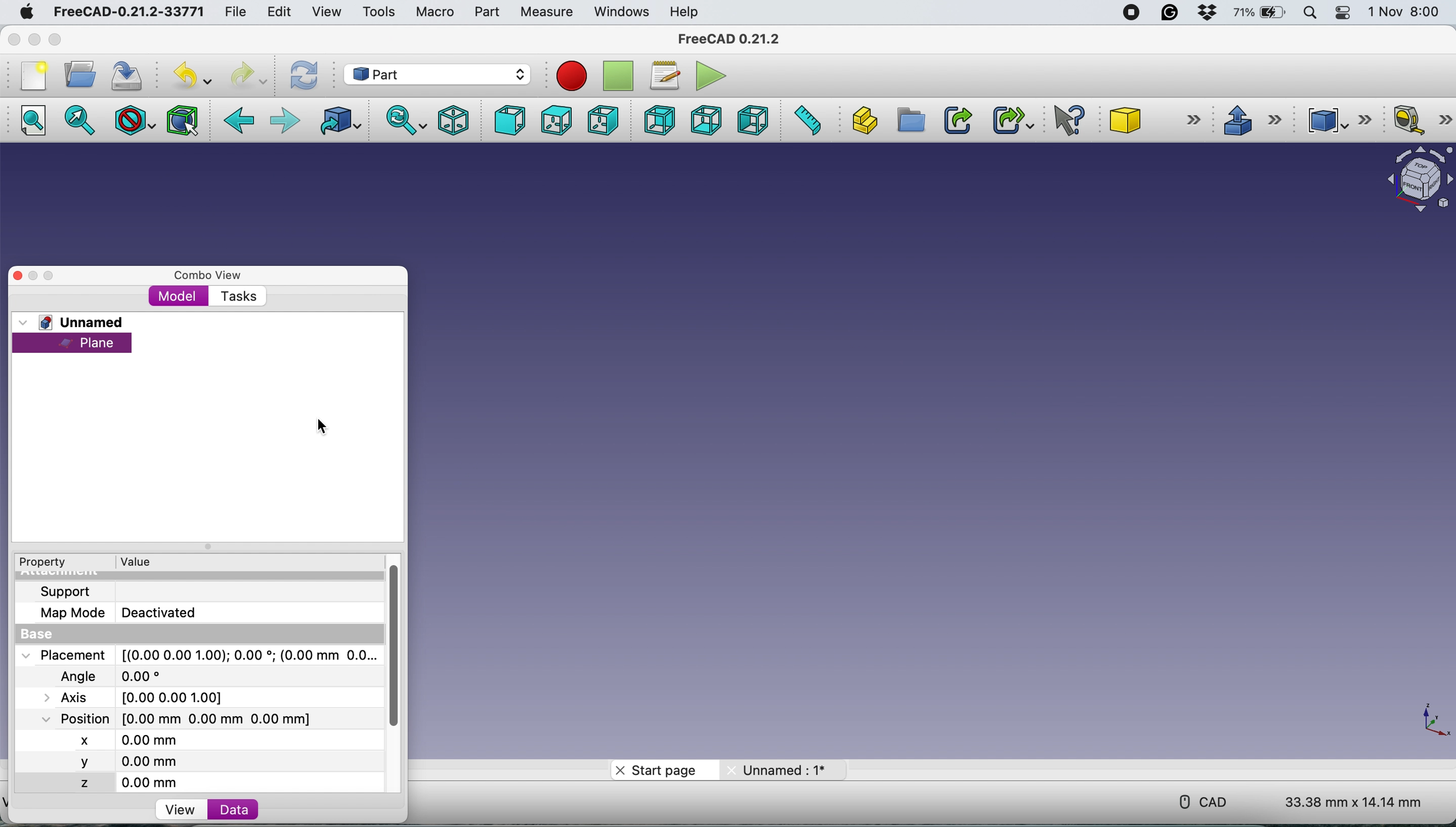 This screenshot has height=827, width=1456. I want to click on cad, so click(1212, 801).